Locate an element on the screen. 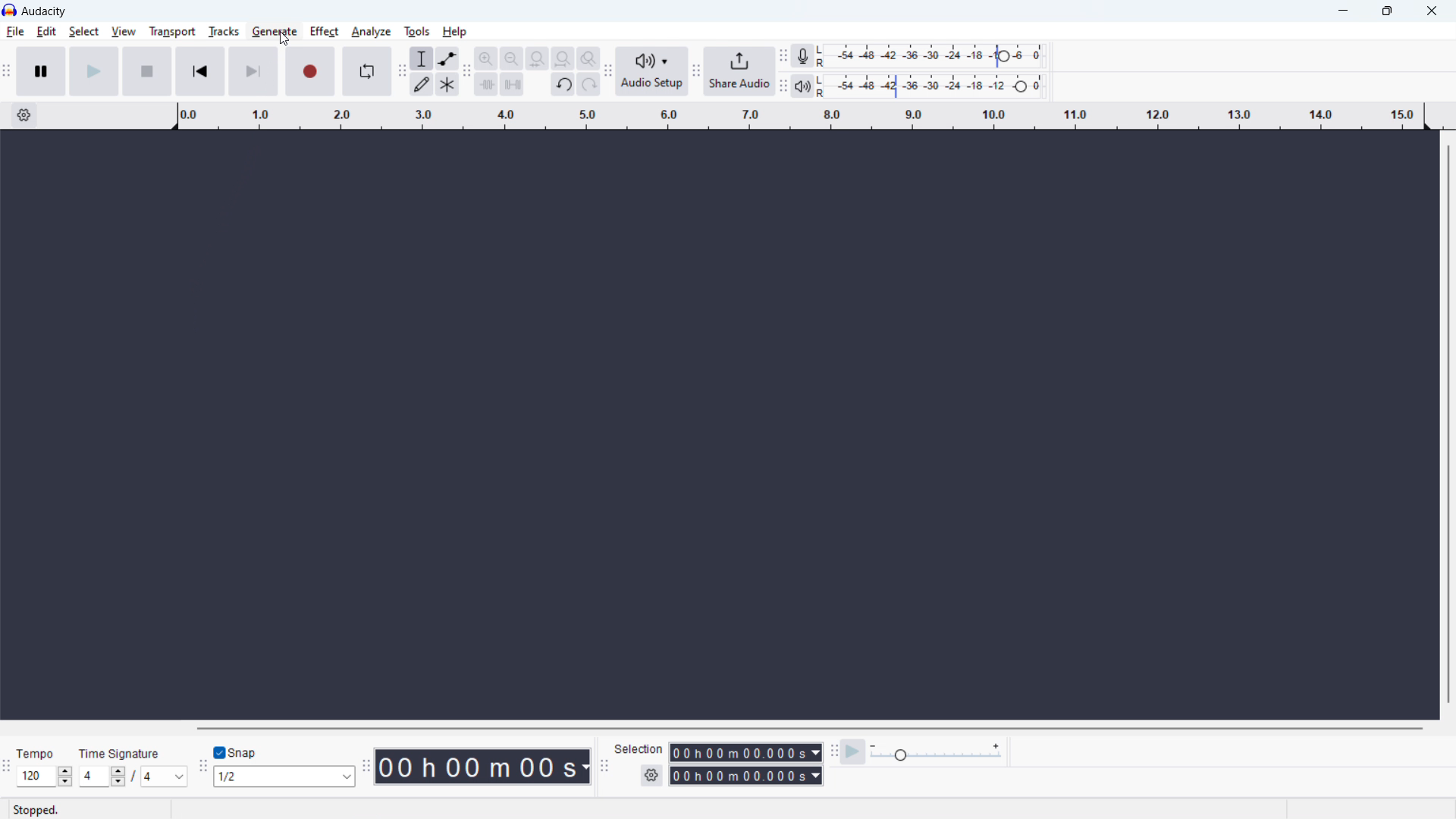  edit toolbar is located at coordinates (468, 71).